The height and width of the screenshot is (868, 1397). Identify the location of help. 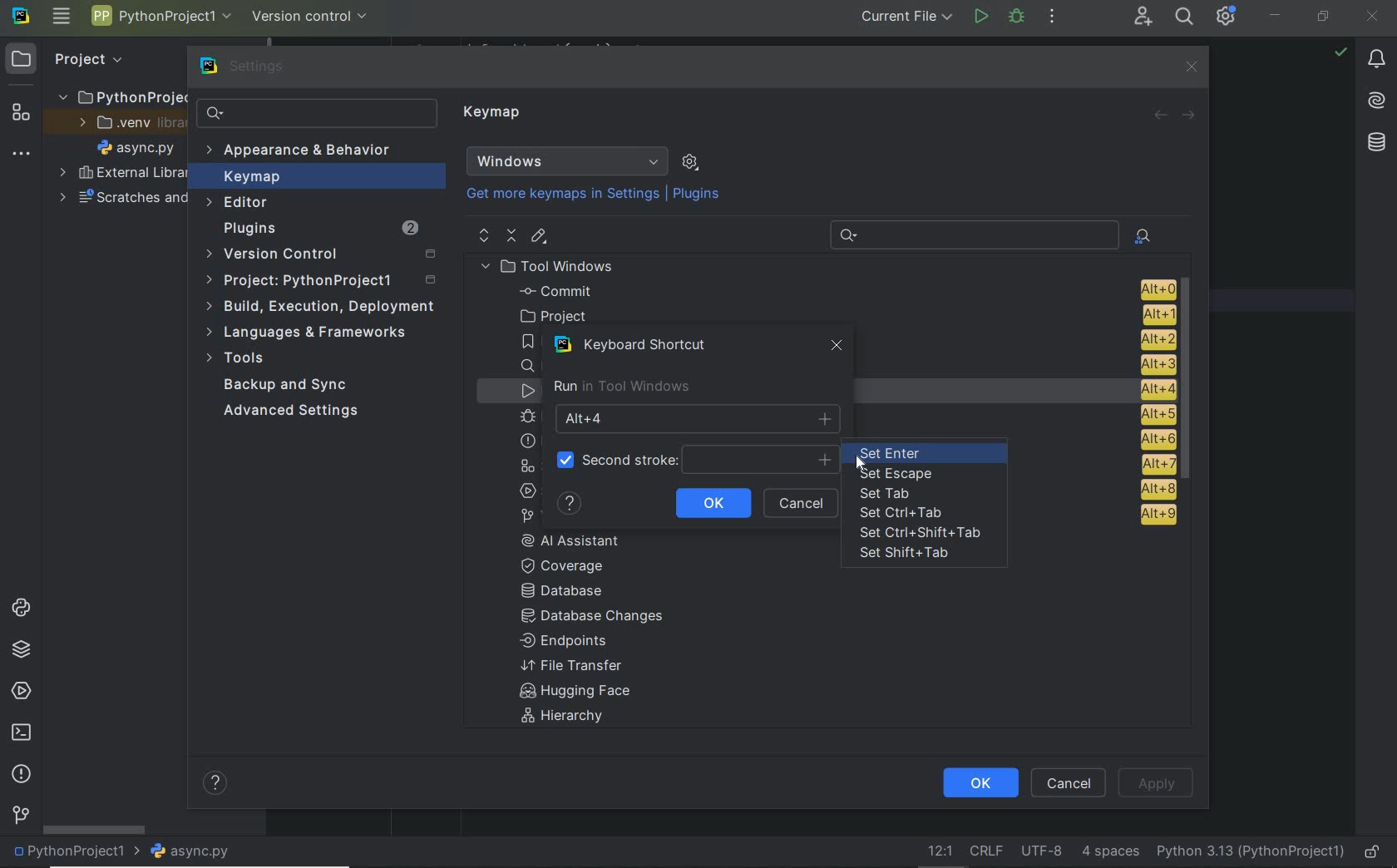
(217, 785).